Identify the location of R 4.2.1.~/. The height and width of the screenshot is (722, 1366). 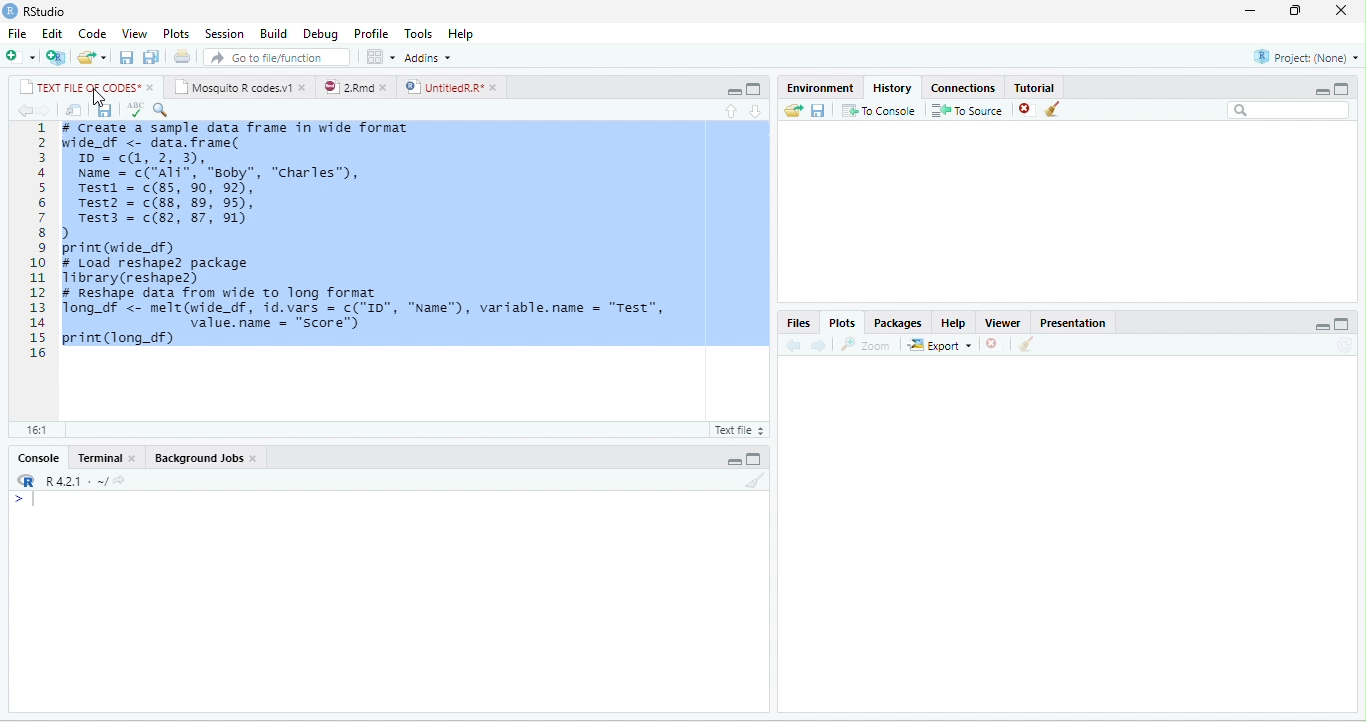
(70, 480).